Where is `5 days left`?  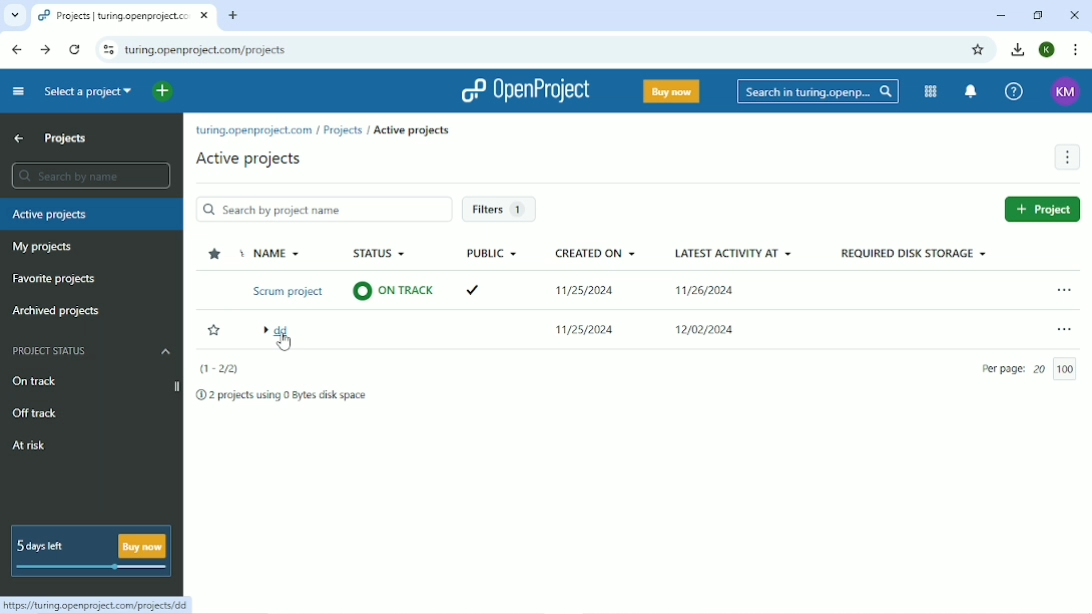 5 days left is located at coordinates (90, 552).